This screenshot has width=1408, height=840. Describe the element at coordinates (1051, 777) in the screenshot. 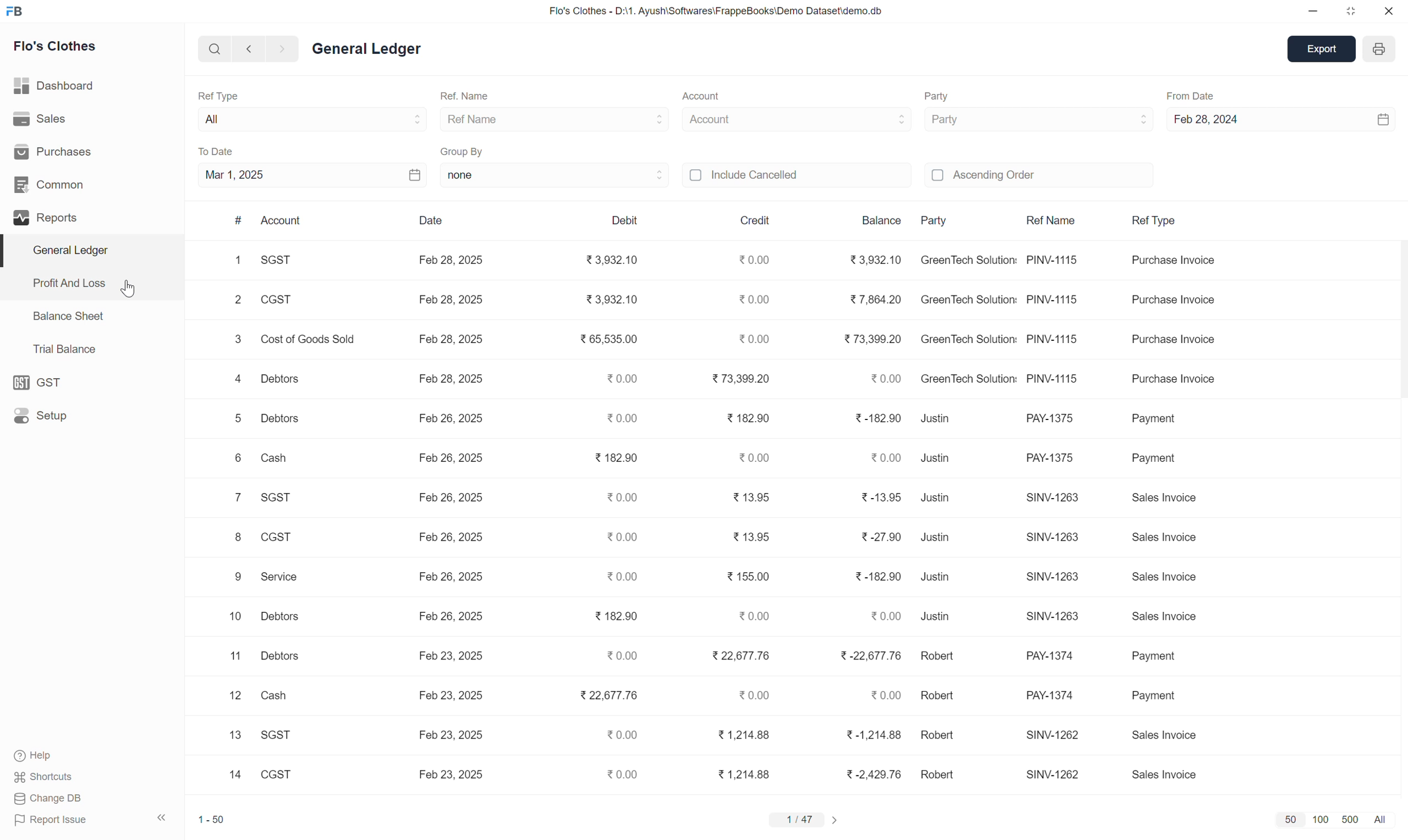

I see `SINV-1262` at that location.